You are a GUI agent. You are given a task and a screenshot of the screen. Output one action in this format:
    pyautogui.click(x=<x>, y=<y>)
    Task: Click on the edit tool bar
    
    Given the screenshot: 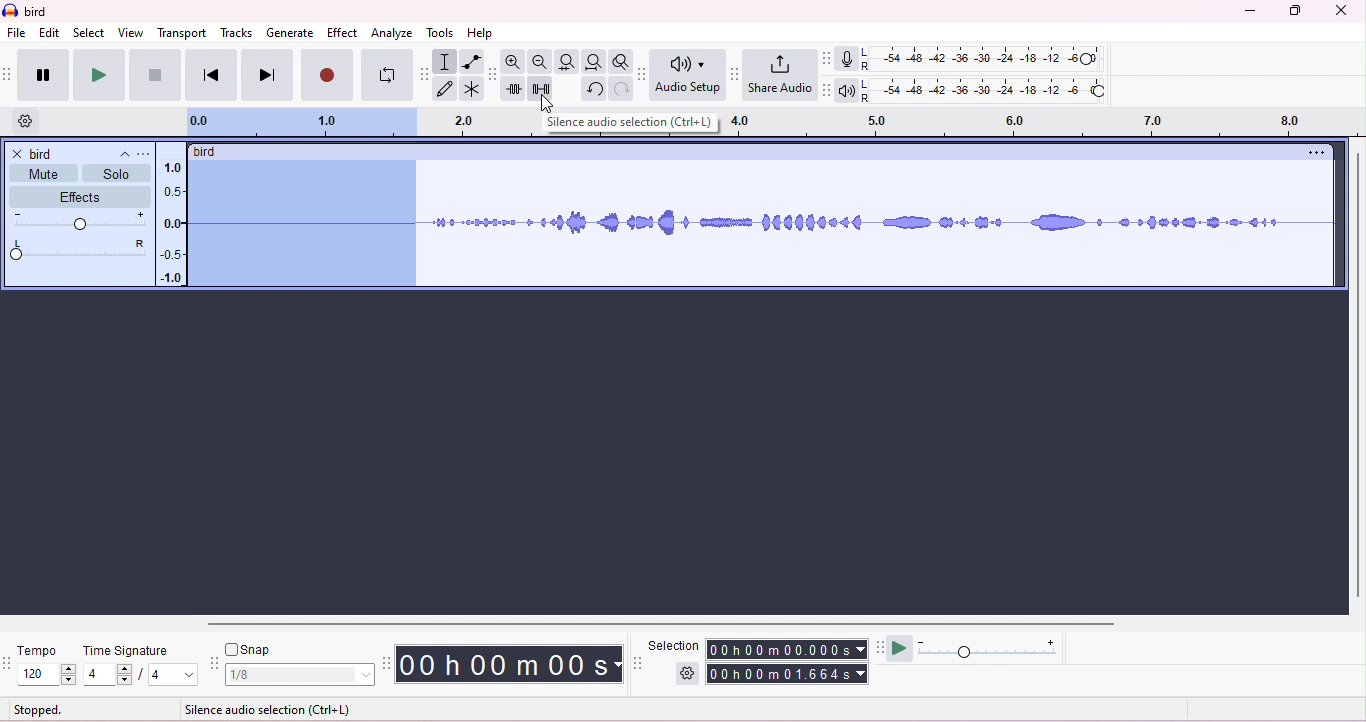 What is the action you would take?
    pyautogui.click(x=493, y=75)
    